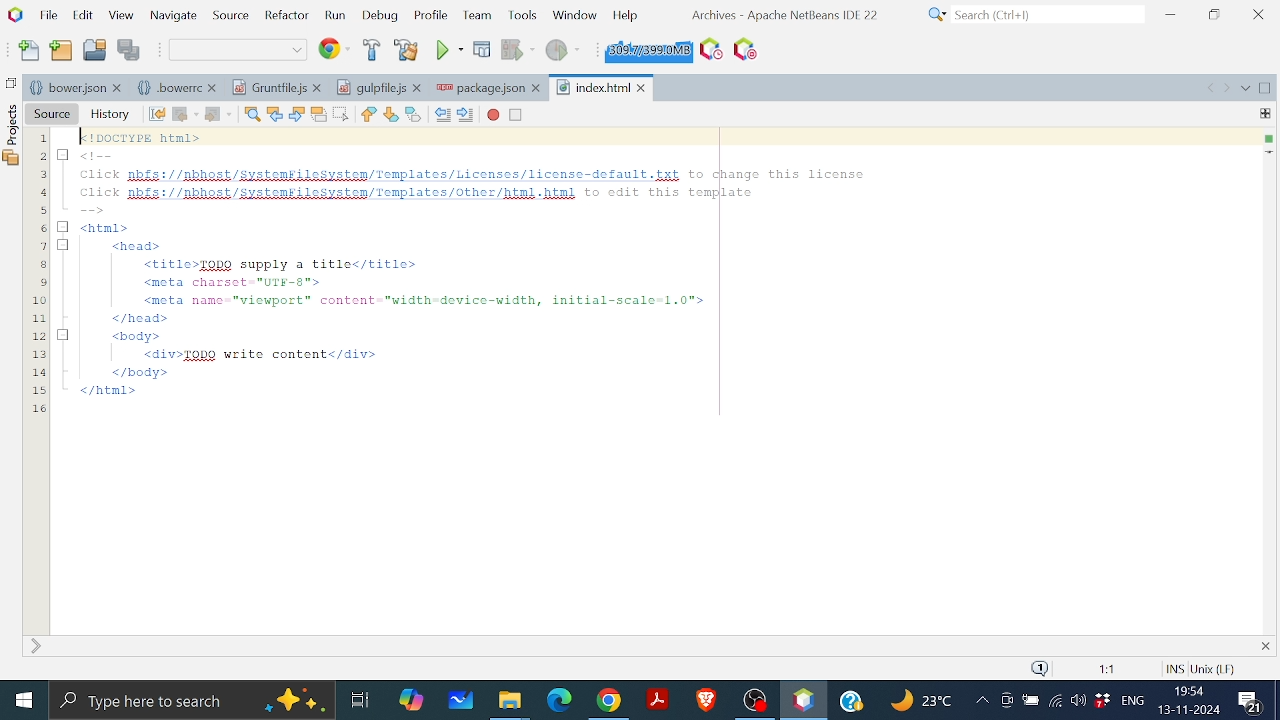 This screenshot has width=1280, height=720. I want to click on Default coding, so click(238, 49).